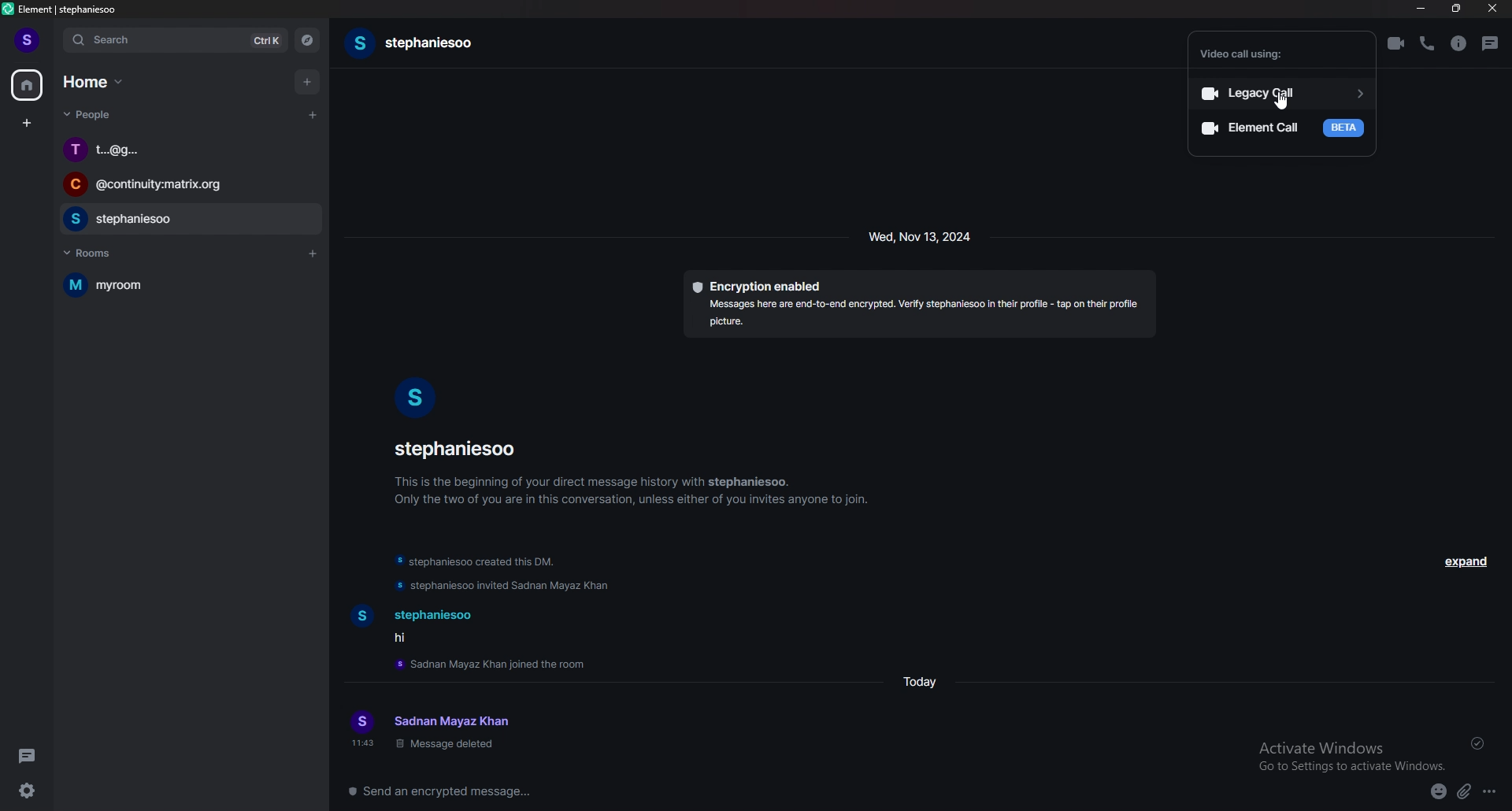  I want to click on update, so click(498, 663).